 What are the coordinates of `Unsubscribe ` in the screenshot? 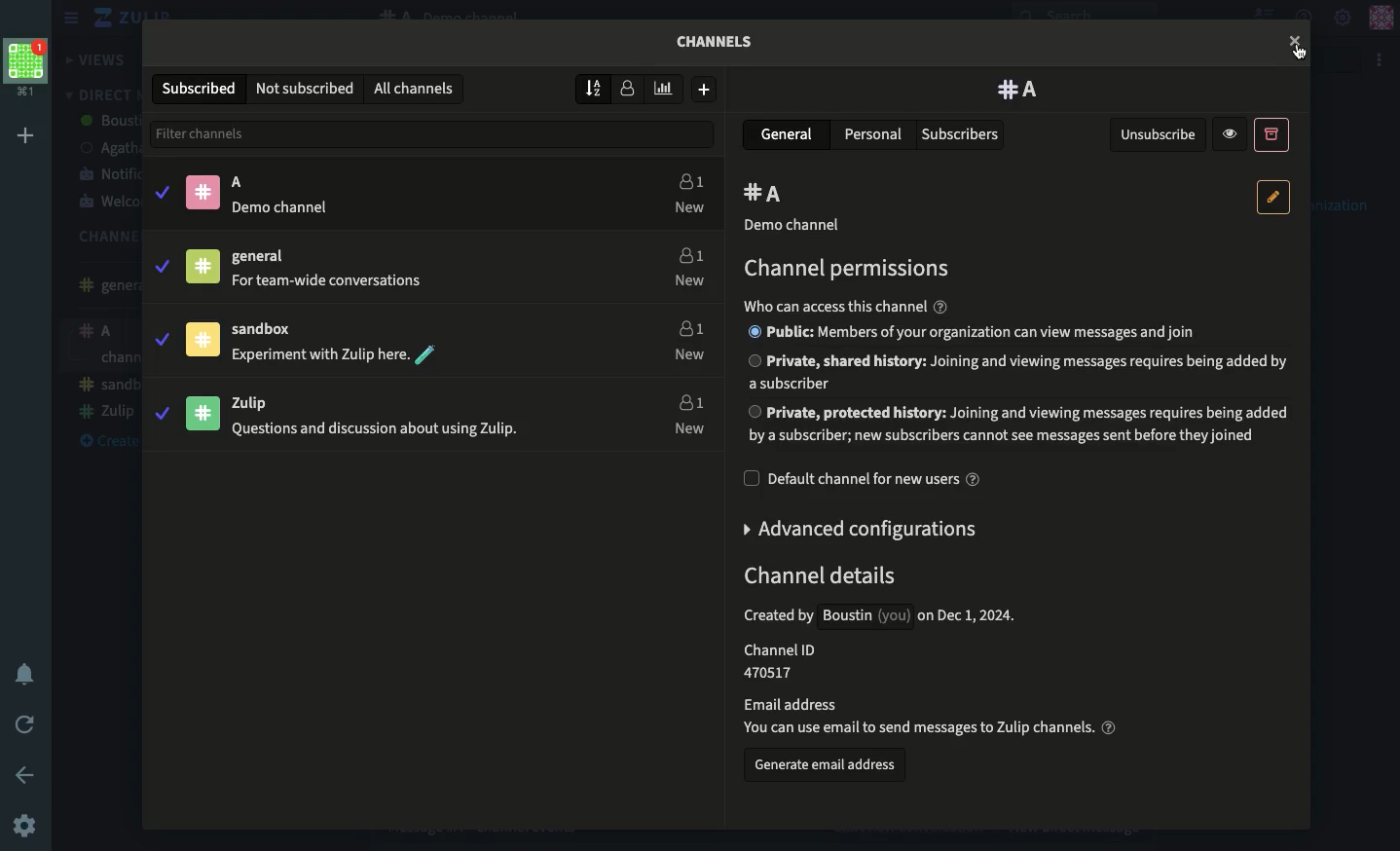 It's located at (1160, 135).